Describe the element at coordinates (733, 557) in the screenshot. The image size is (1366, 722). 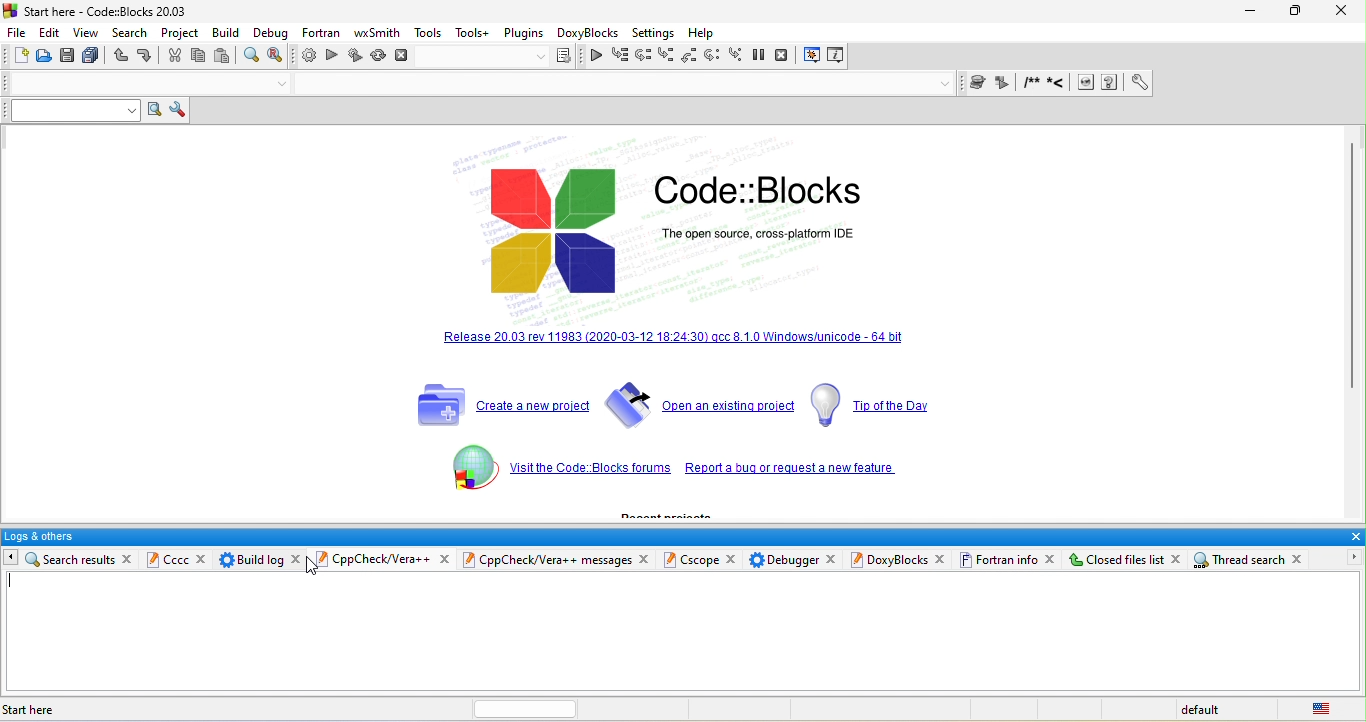
I see `close` at that location.